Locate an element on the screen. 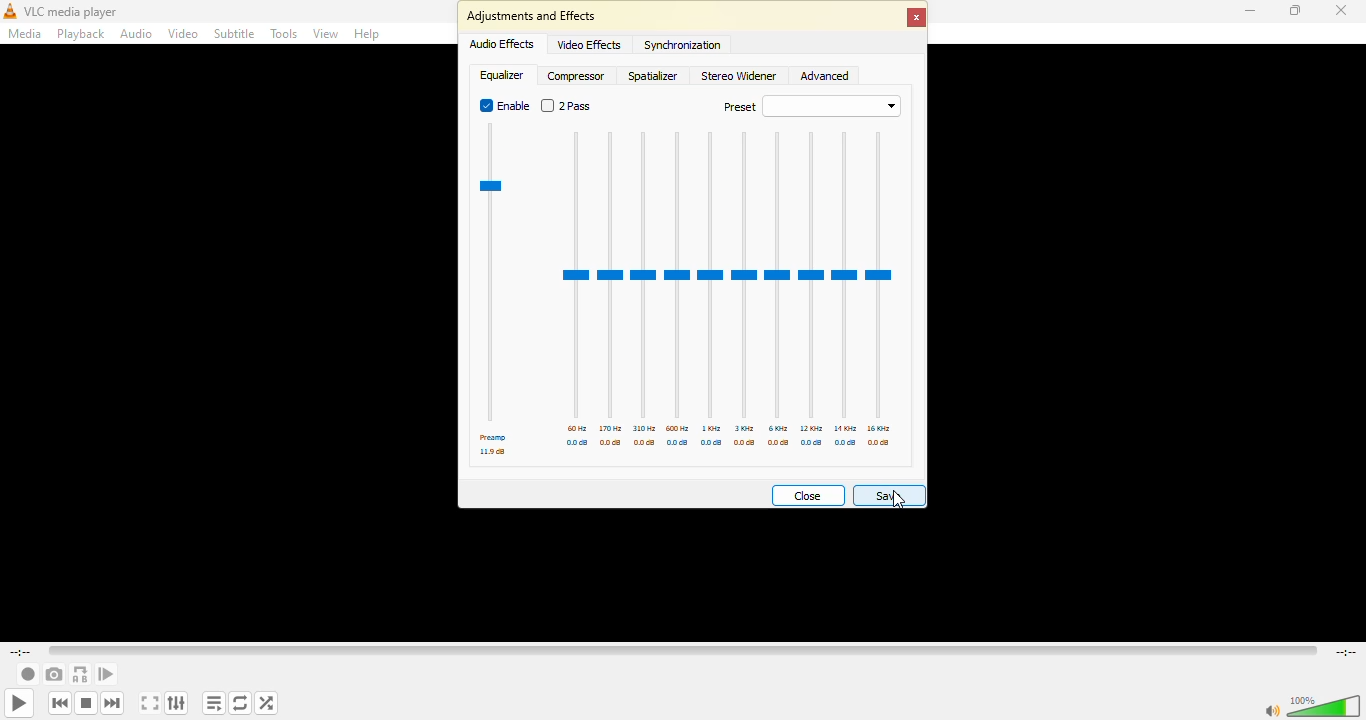  adjustor is located at coordinates (883, 276).